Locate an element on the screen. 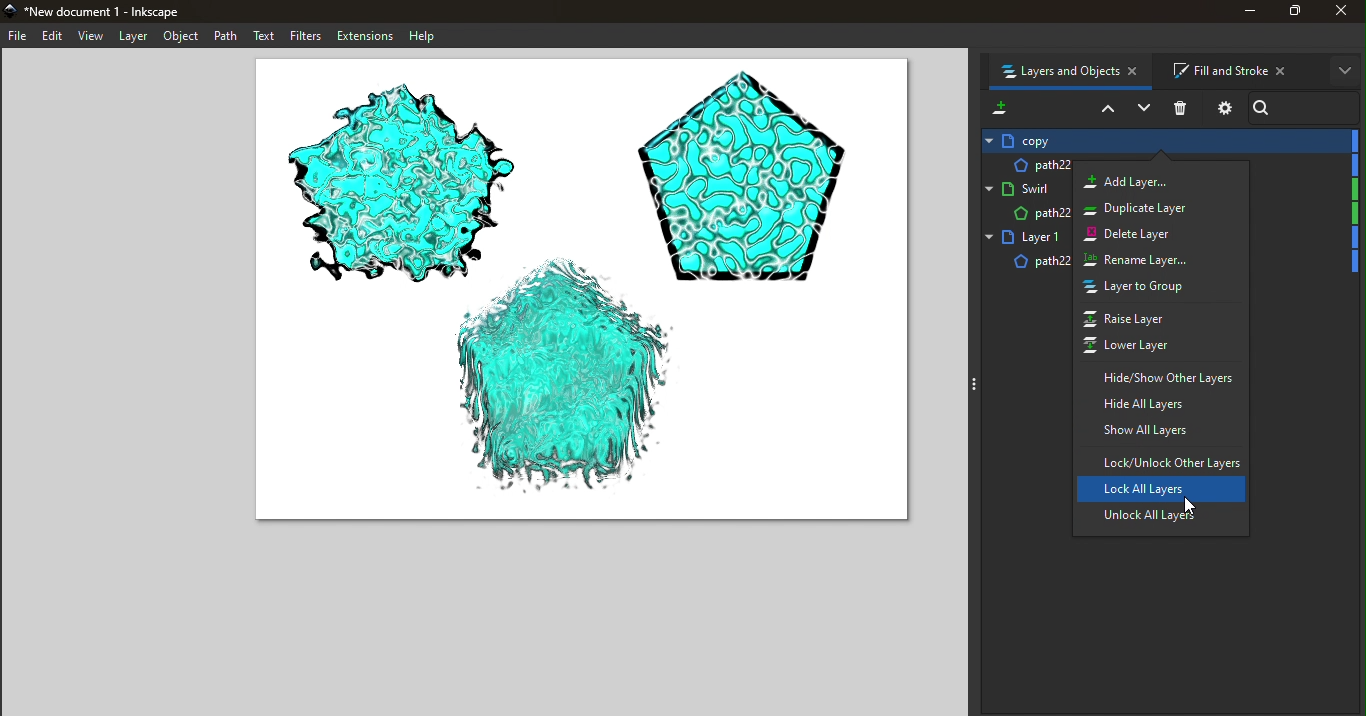 The image size is (1366, 716). Lower selection one step is located at coordinates (1143, 109).